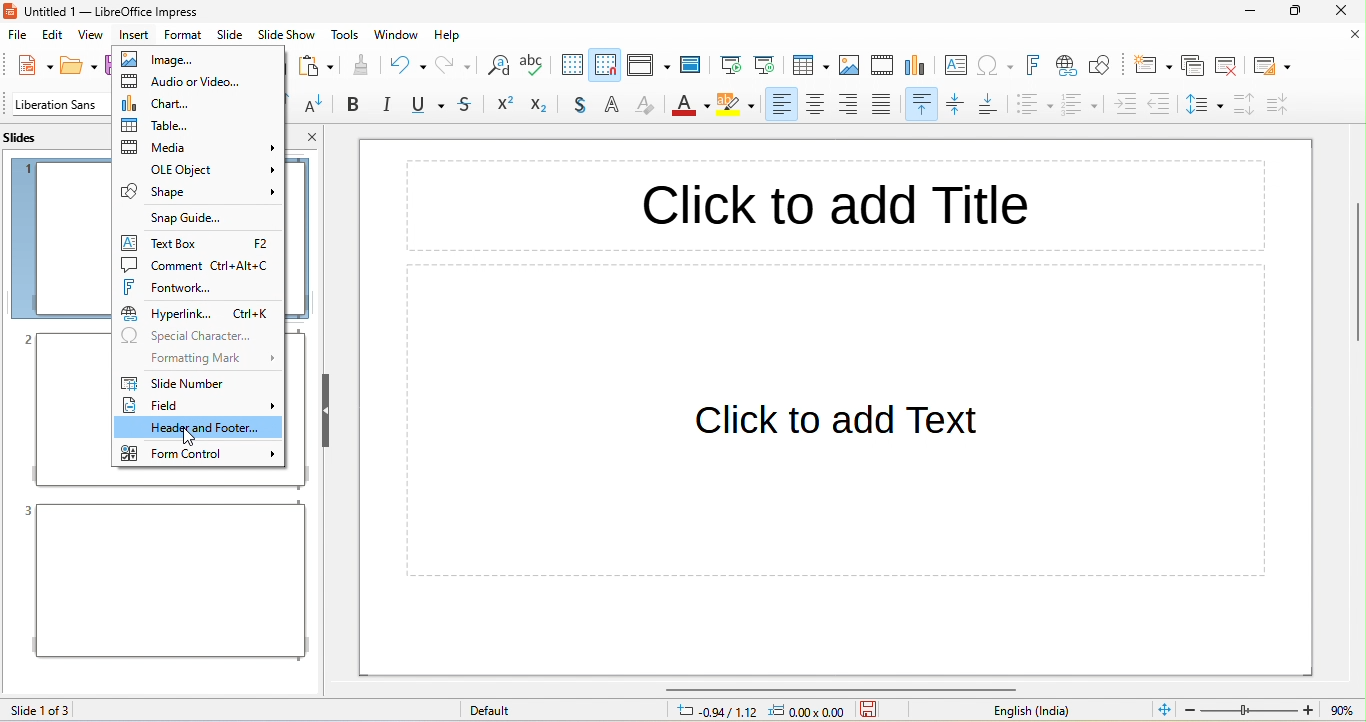  Describe the element at coordinates (173, 58) in the screenshot. I see `image` at that location.